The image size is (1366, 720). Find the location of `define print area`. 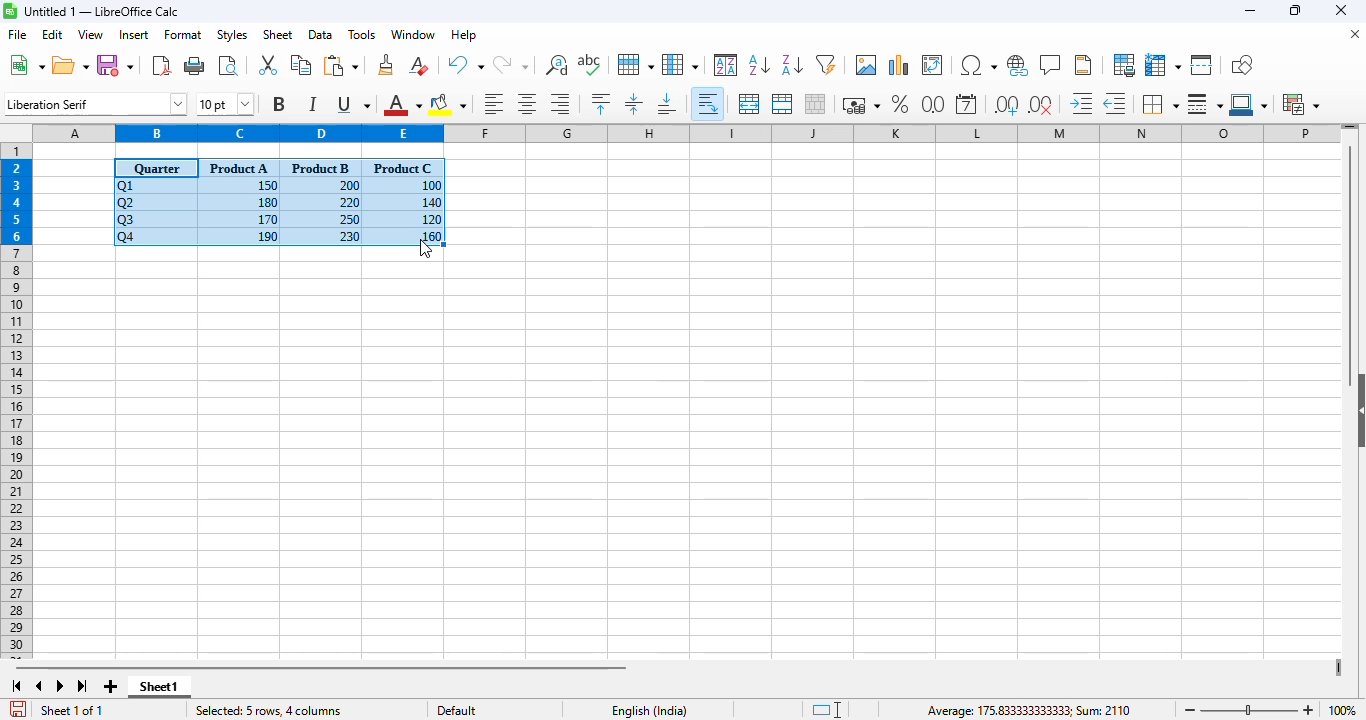

define print area is located at coordinates (1124, 65).